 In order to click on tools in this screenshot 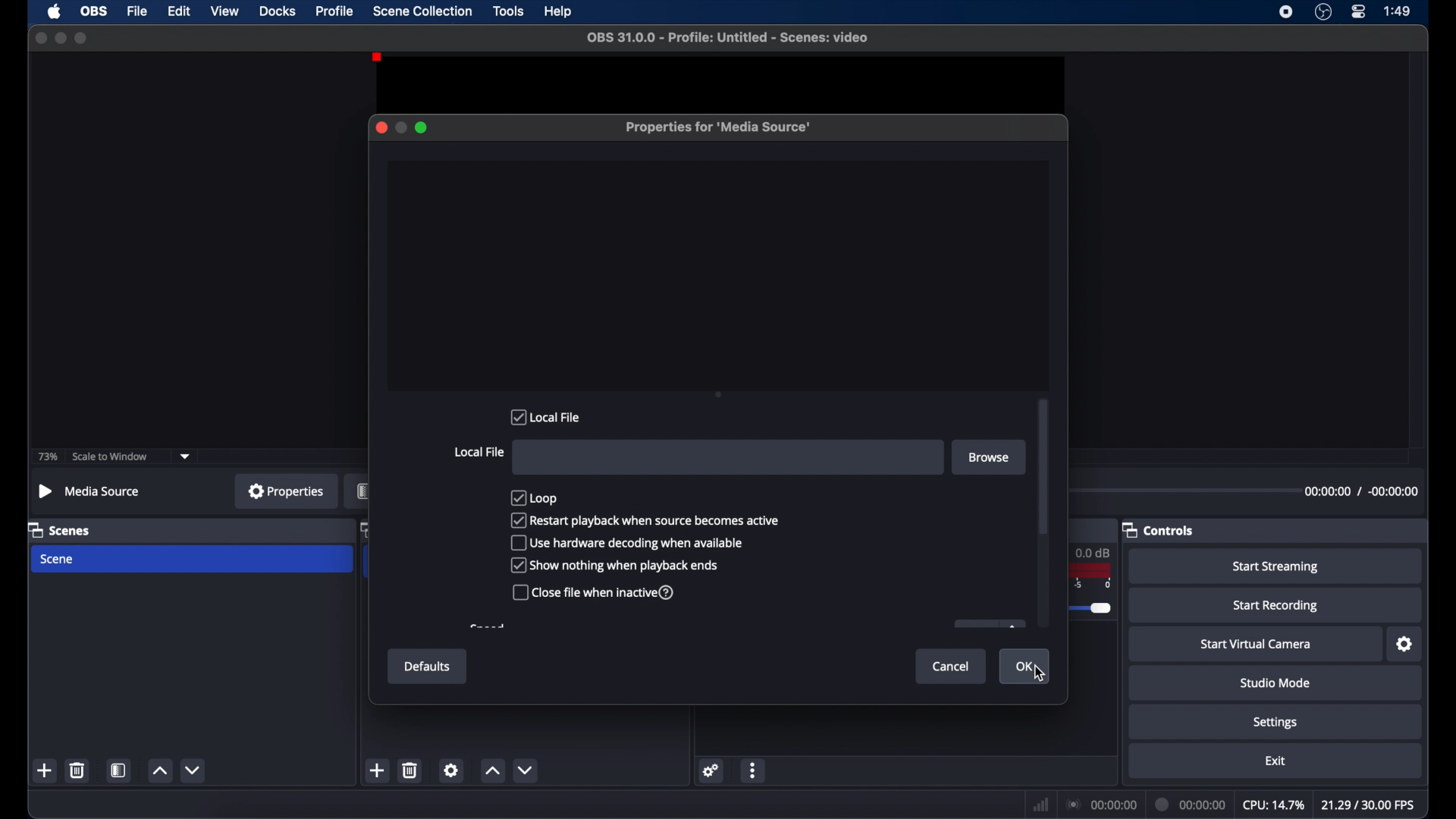, I will do `click(510, 11)`.